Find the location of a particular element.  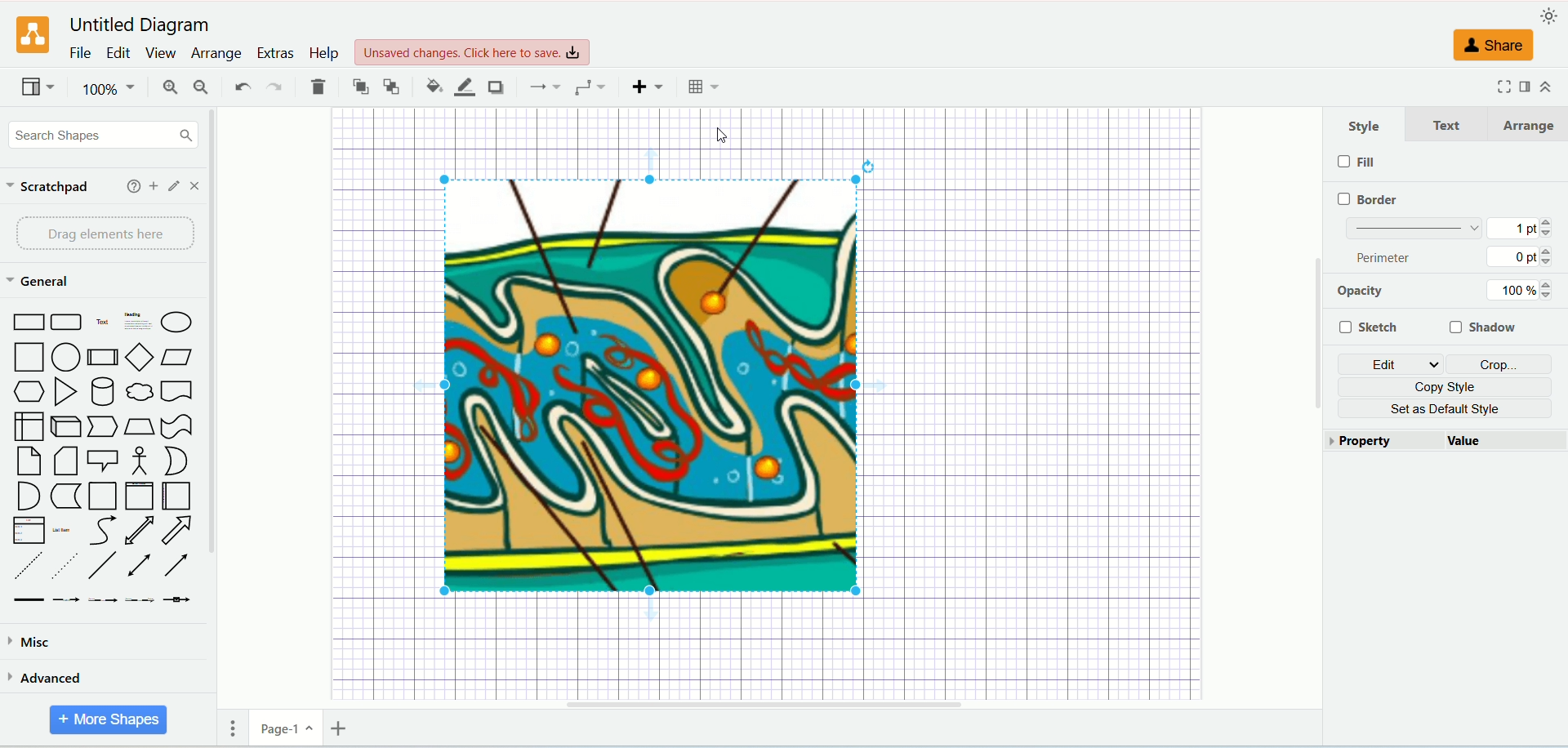

Square is located at coordinates (29, 358).